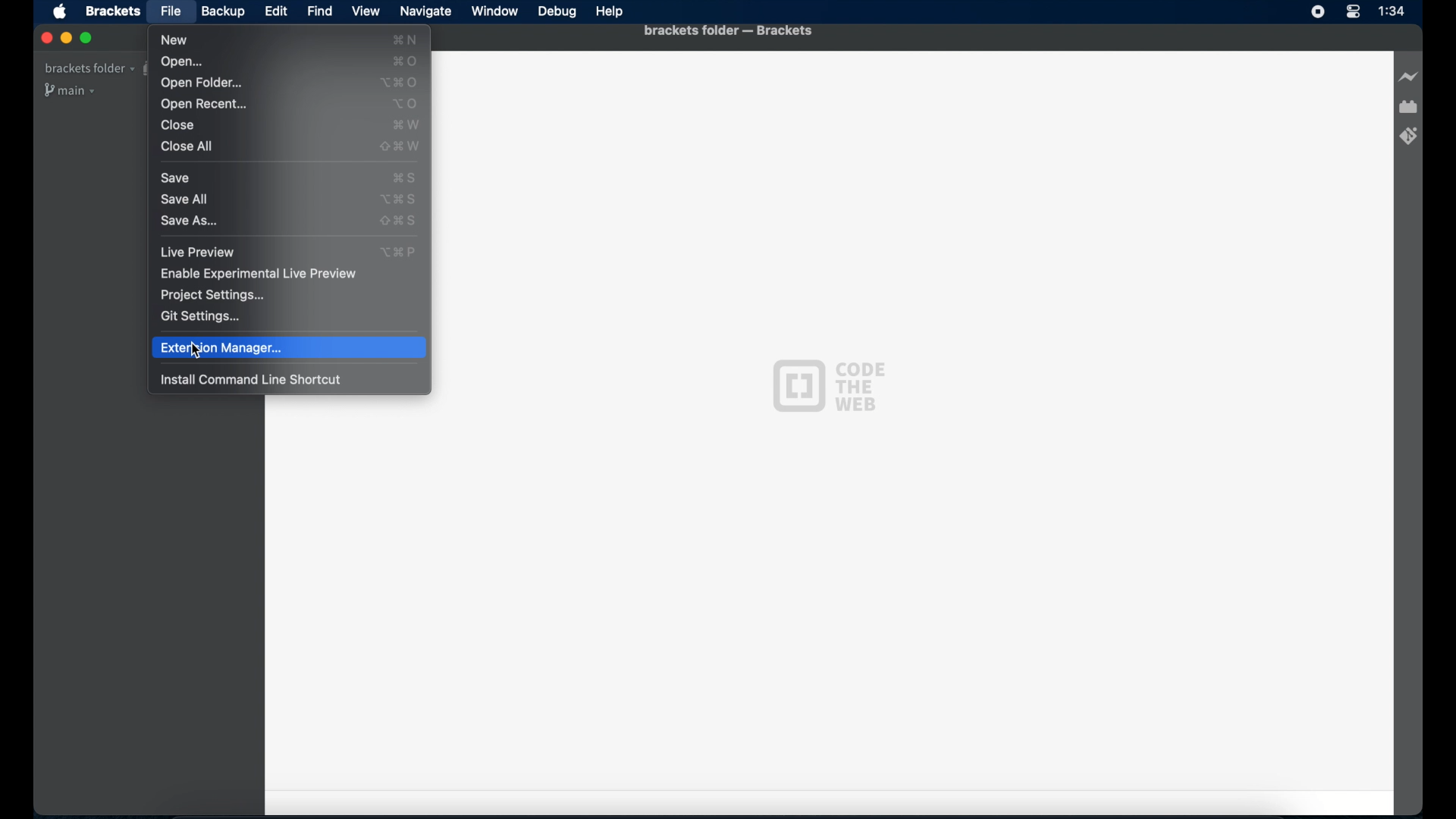 The height and width of the screenshot is (819, 1456). I want to click on extension manager, so click(288, 348).